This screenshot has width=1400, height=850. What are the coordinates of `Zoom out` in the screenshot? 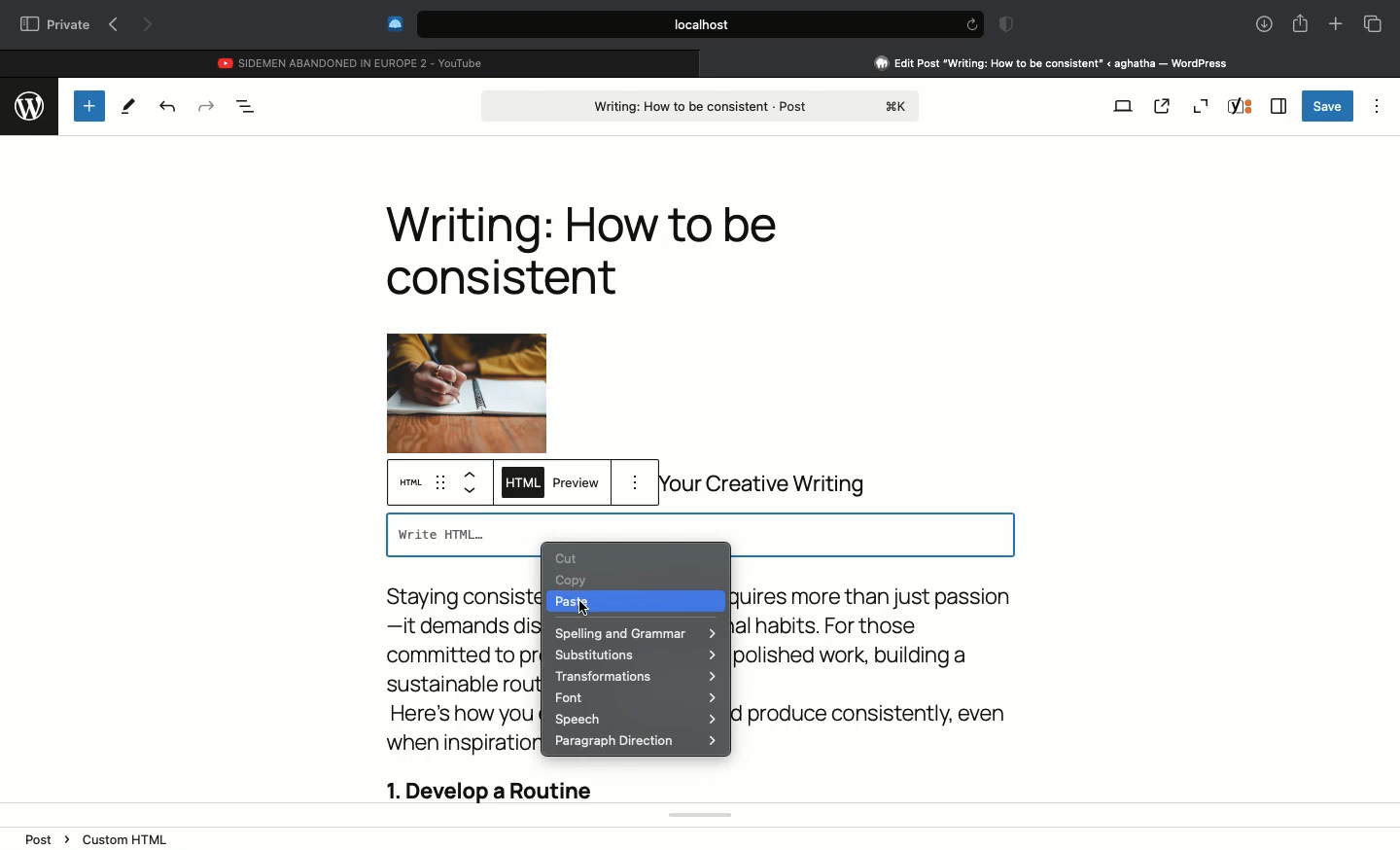 It's located at (1200, 106).